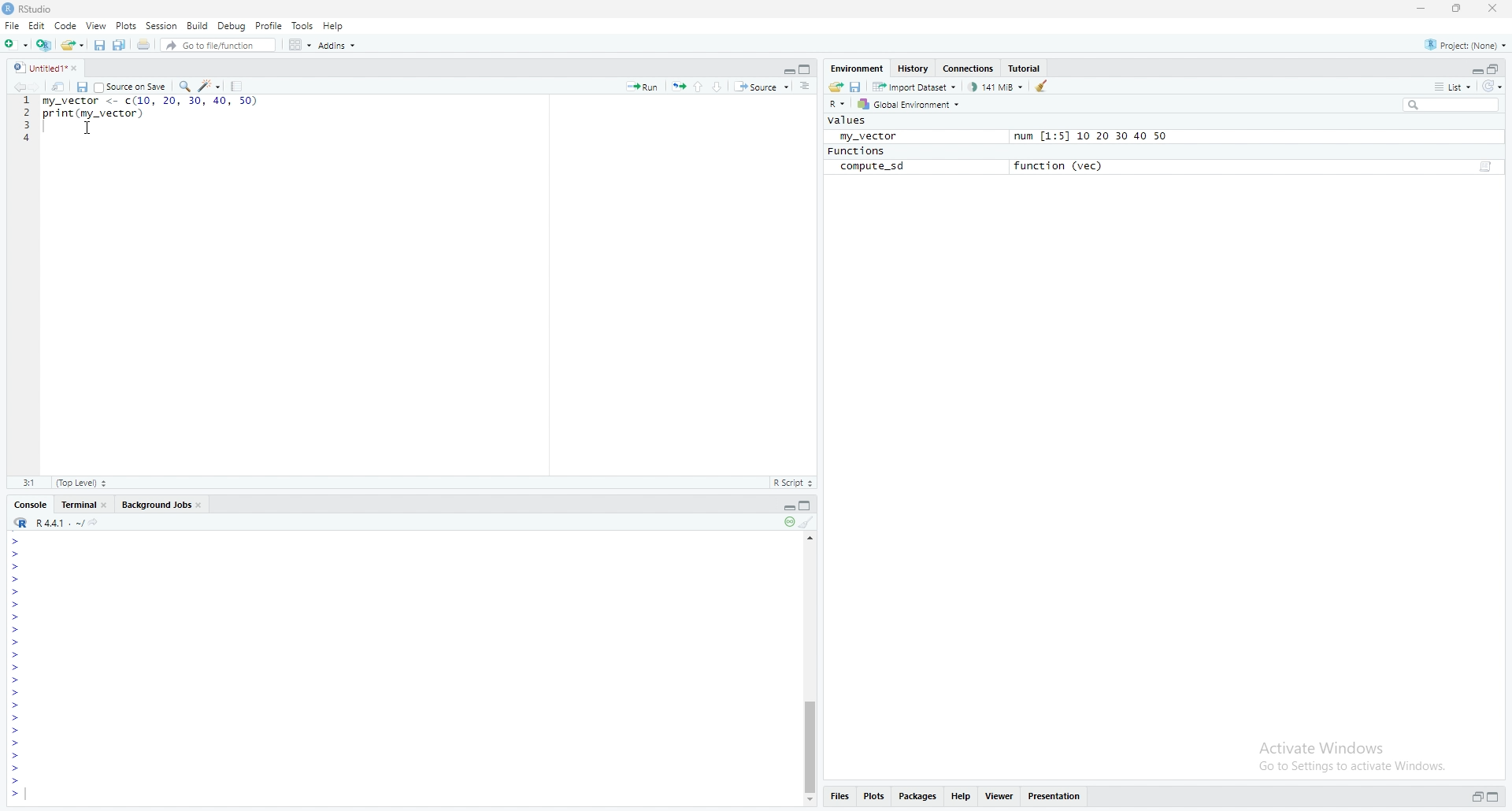 This screenshot has height=811, width=1512. Describe the element at coordinates (1477, 797) in the screenshot. I see `Restore` at that location.